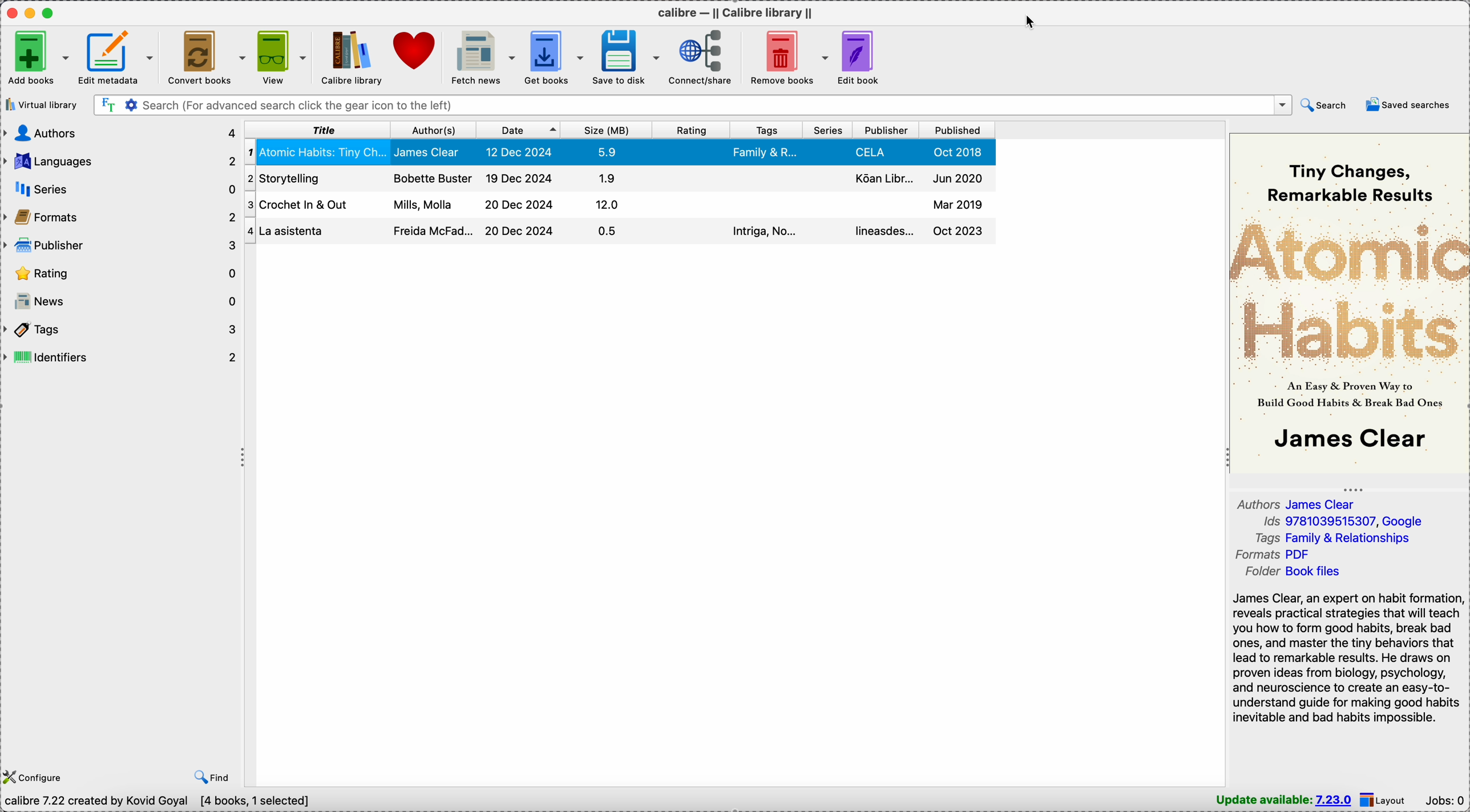 Image resolution: width=1470 pixels, height=812 pixels. I want to click on author(s), so click(432, 131).